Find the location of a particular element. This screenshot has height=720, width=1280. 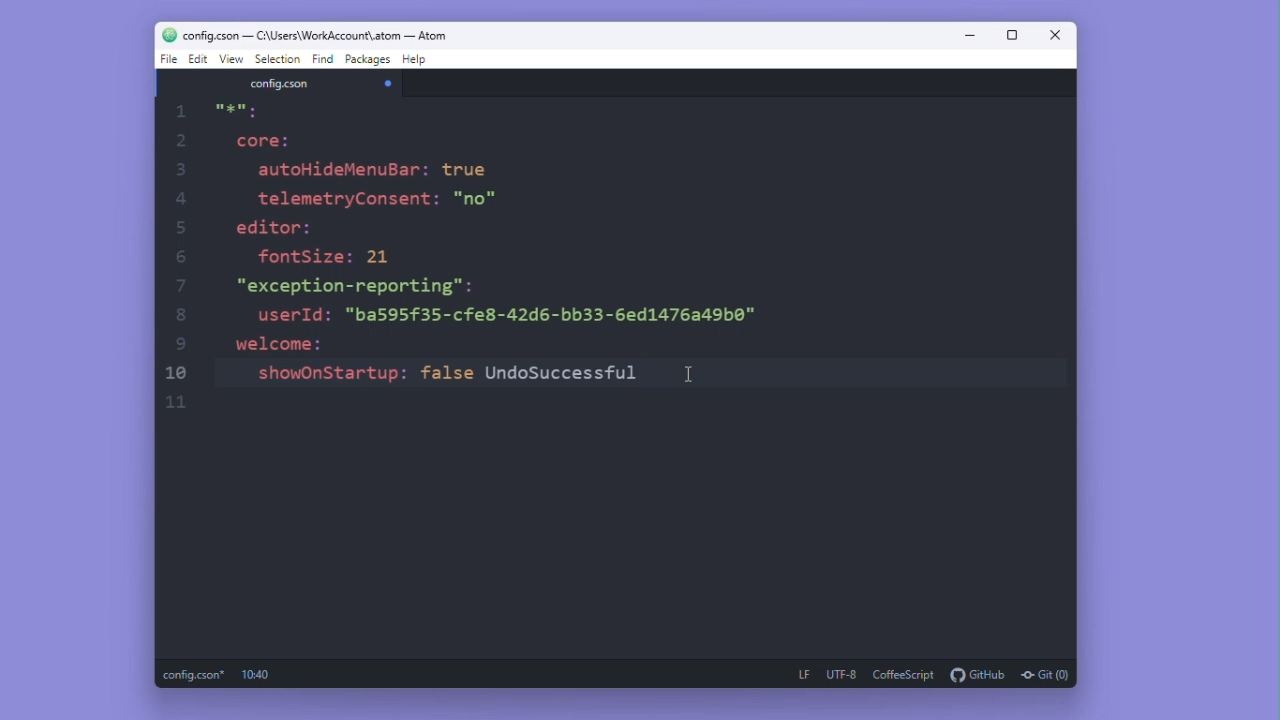

File is located at coordinates (167, 60).